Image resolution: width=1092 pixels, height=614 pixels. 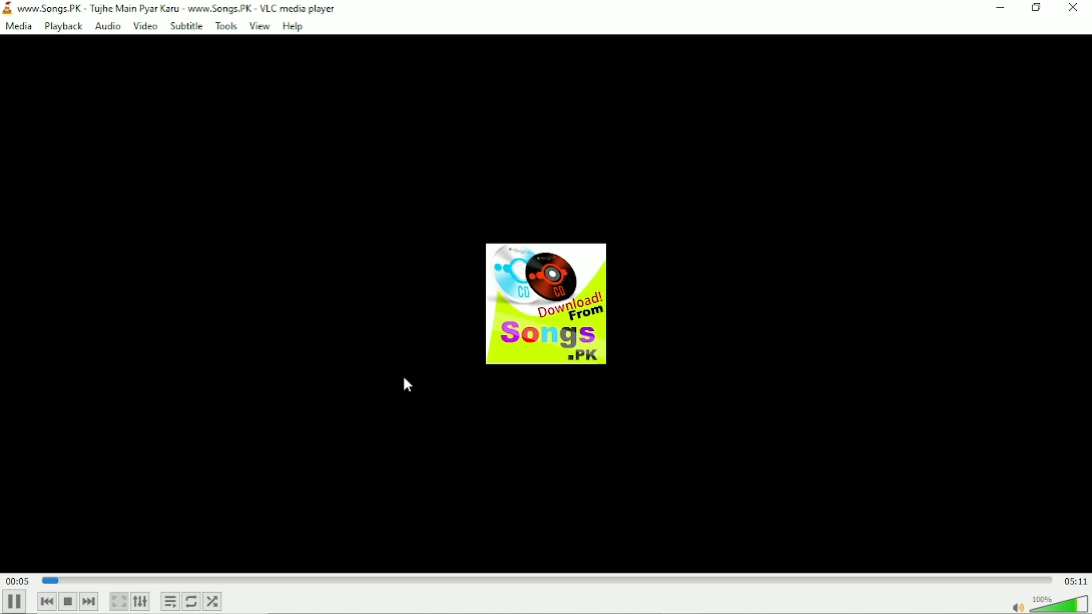 What do you see at coordinates (17, 580) in the screenshot?
I see `Elapsed time` at bounding box center [17, 580].